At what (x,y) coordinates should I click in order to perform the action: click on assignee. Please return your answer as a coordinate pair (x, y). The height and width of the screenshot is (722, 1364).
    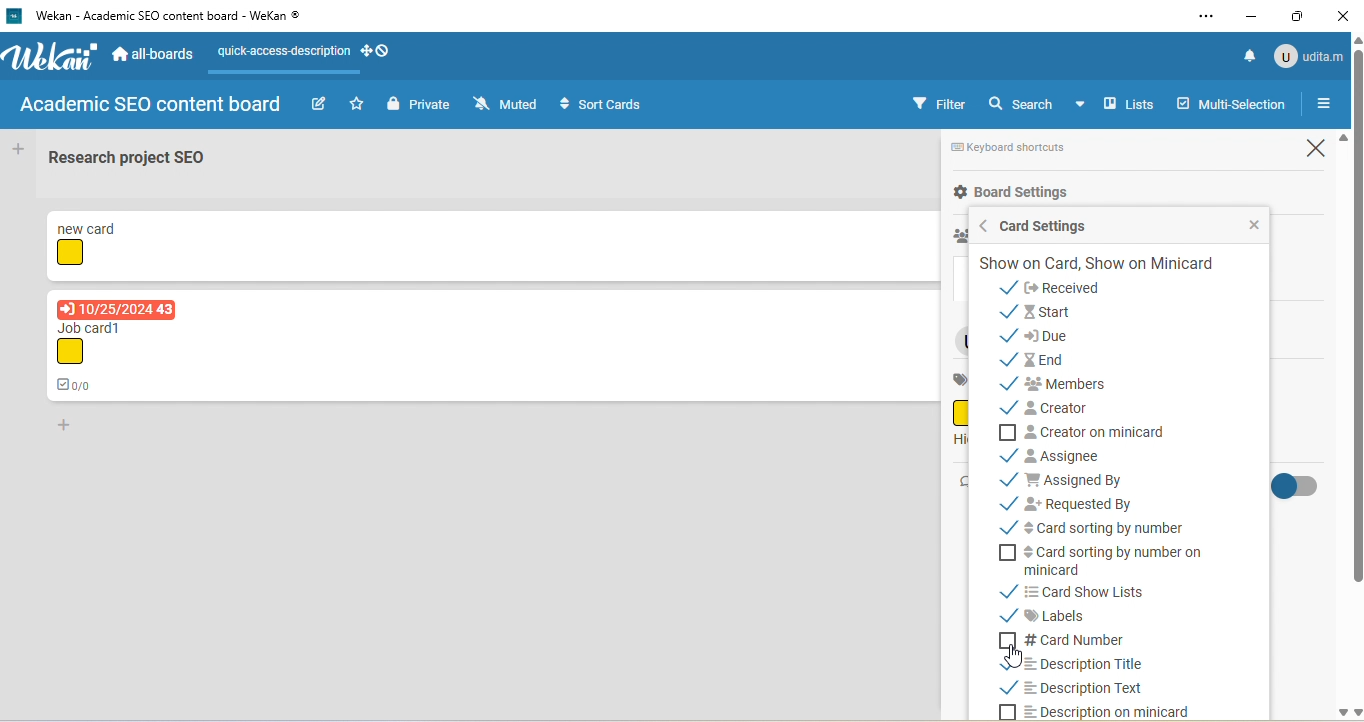
    Looking at the image, I should click on (1059, 455).